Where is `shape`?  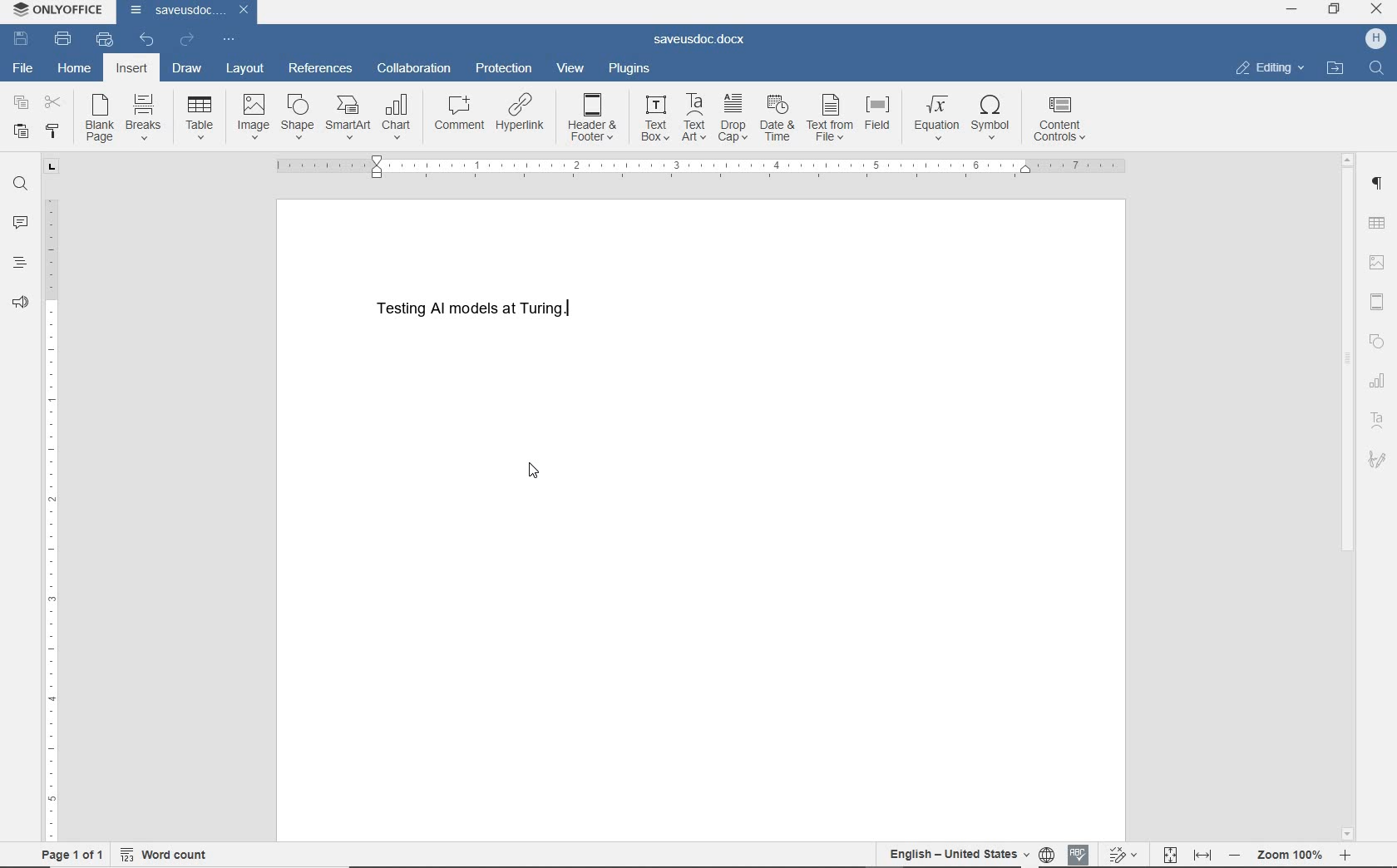 shape is located at coordinates (1379, 344).